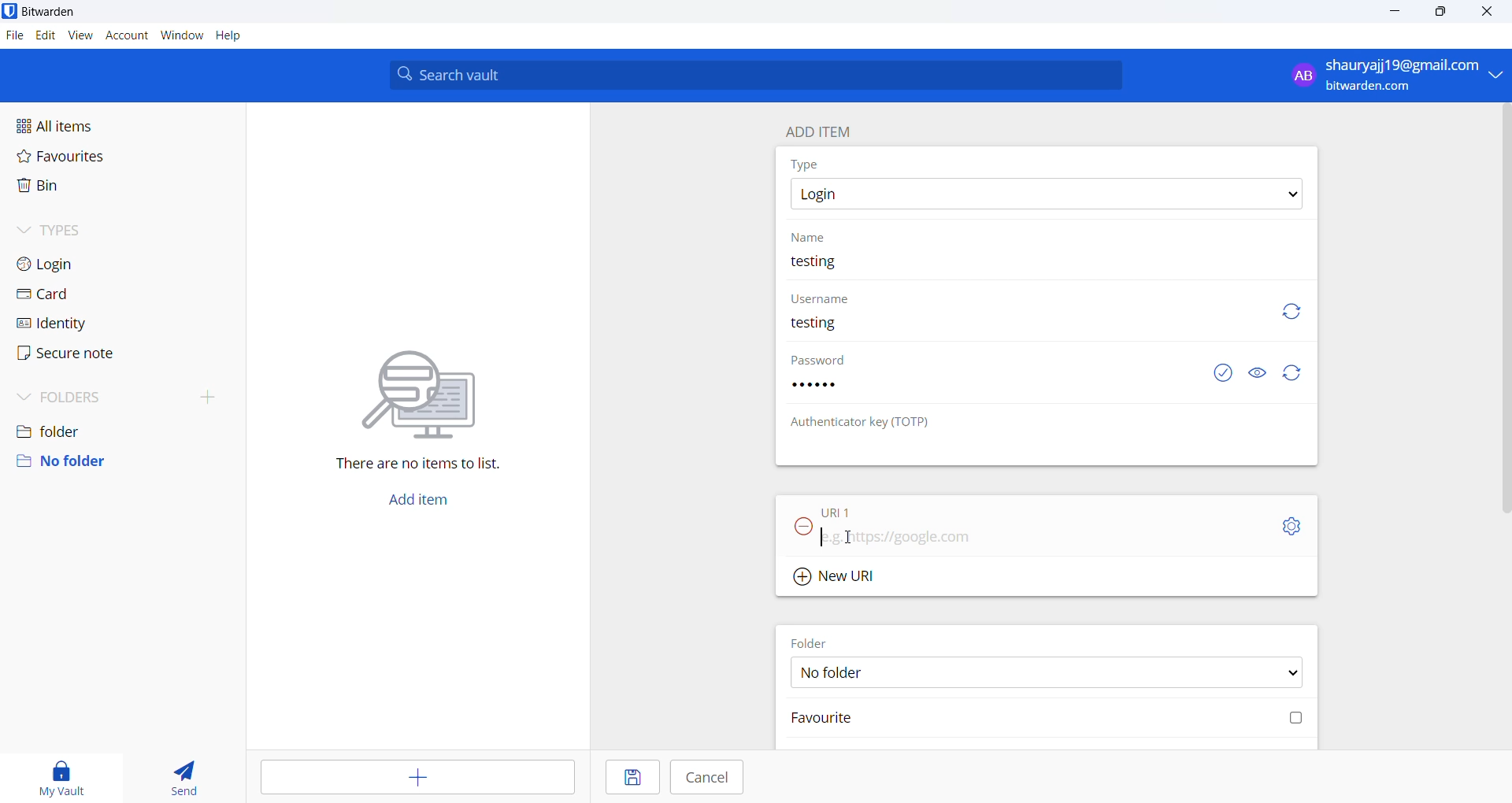 The height and width of the screenshot is (803, 1512). I want to click on FOLDER options, so click(1048, 673).